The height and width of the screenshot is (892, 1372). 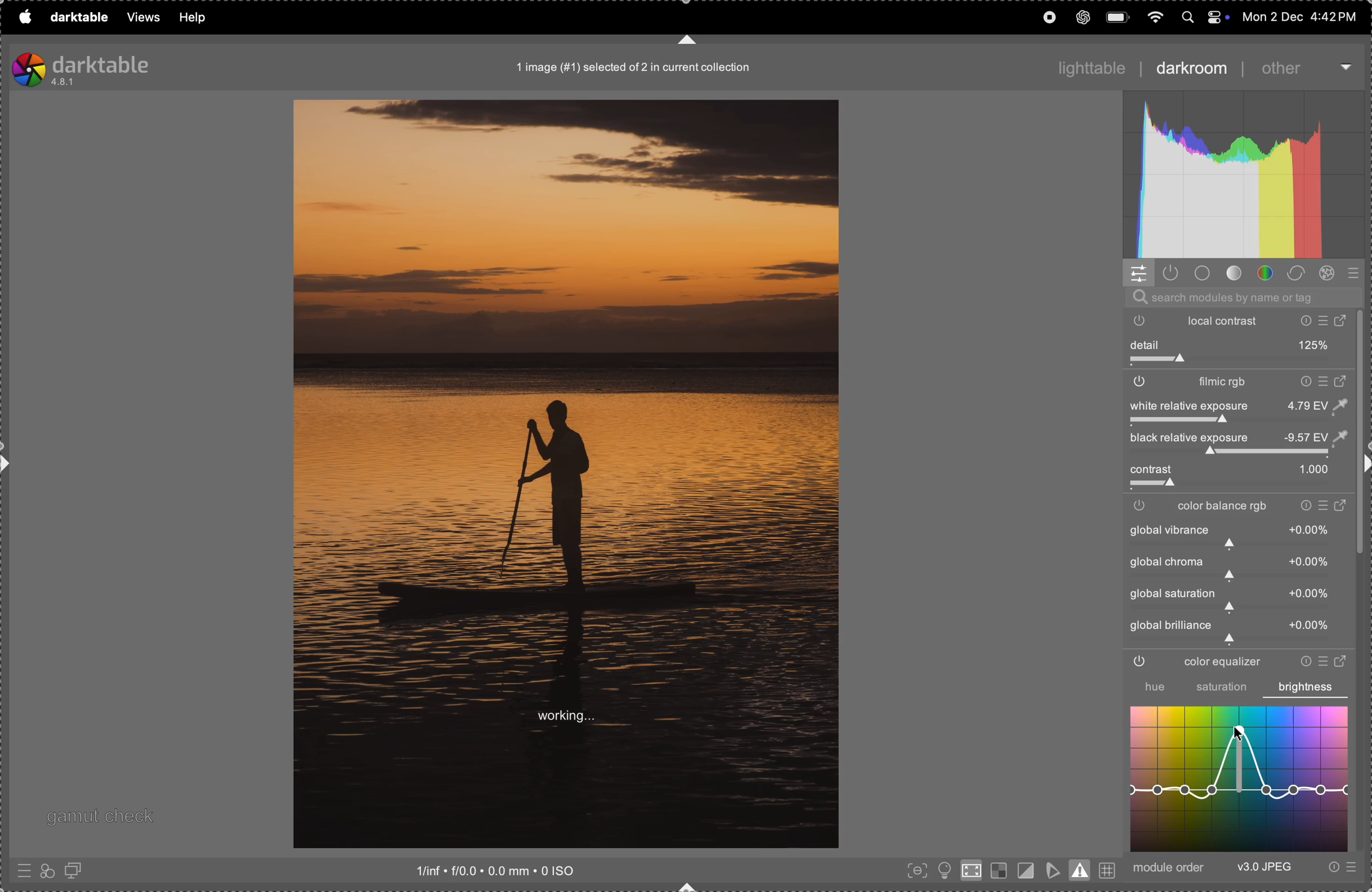 What do you see at coordinates (1047, 17) in the screenshot?
I see `record` at bounding box center [1047, 17].